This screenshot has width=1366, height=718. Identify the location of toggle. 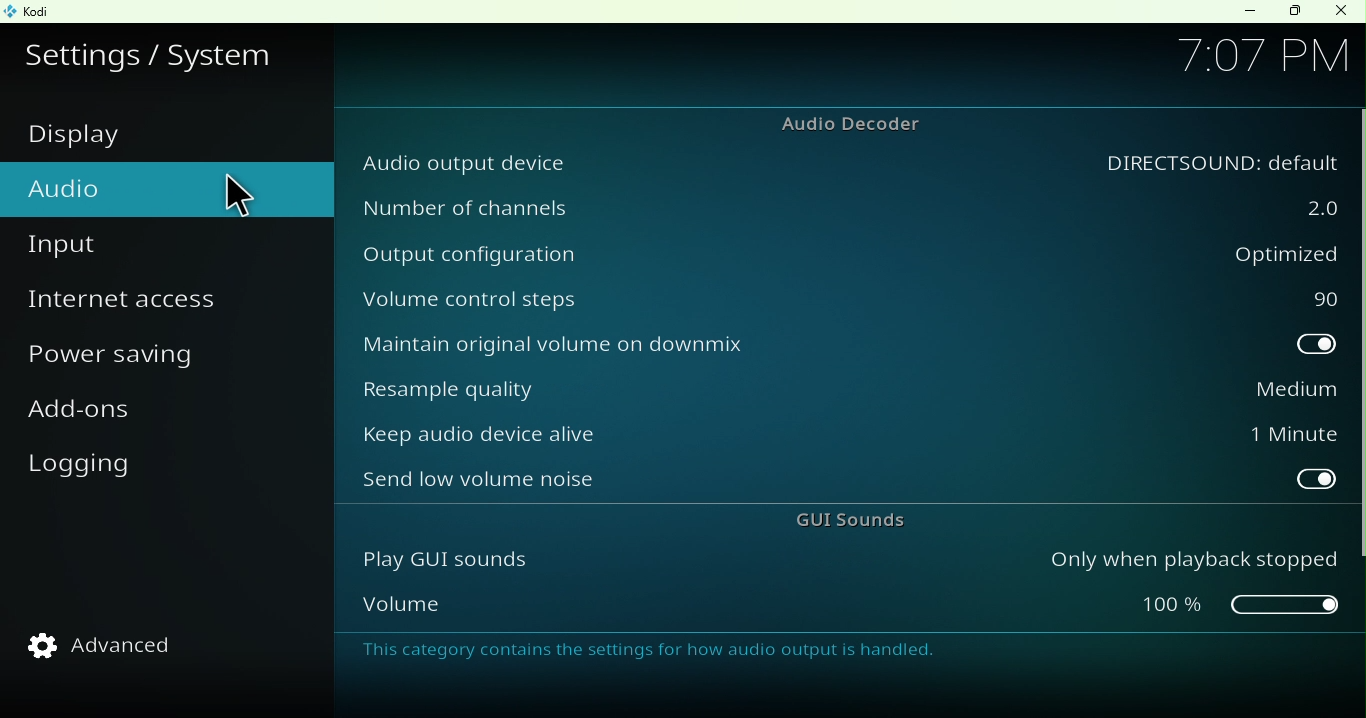
(1221, 346).